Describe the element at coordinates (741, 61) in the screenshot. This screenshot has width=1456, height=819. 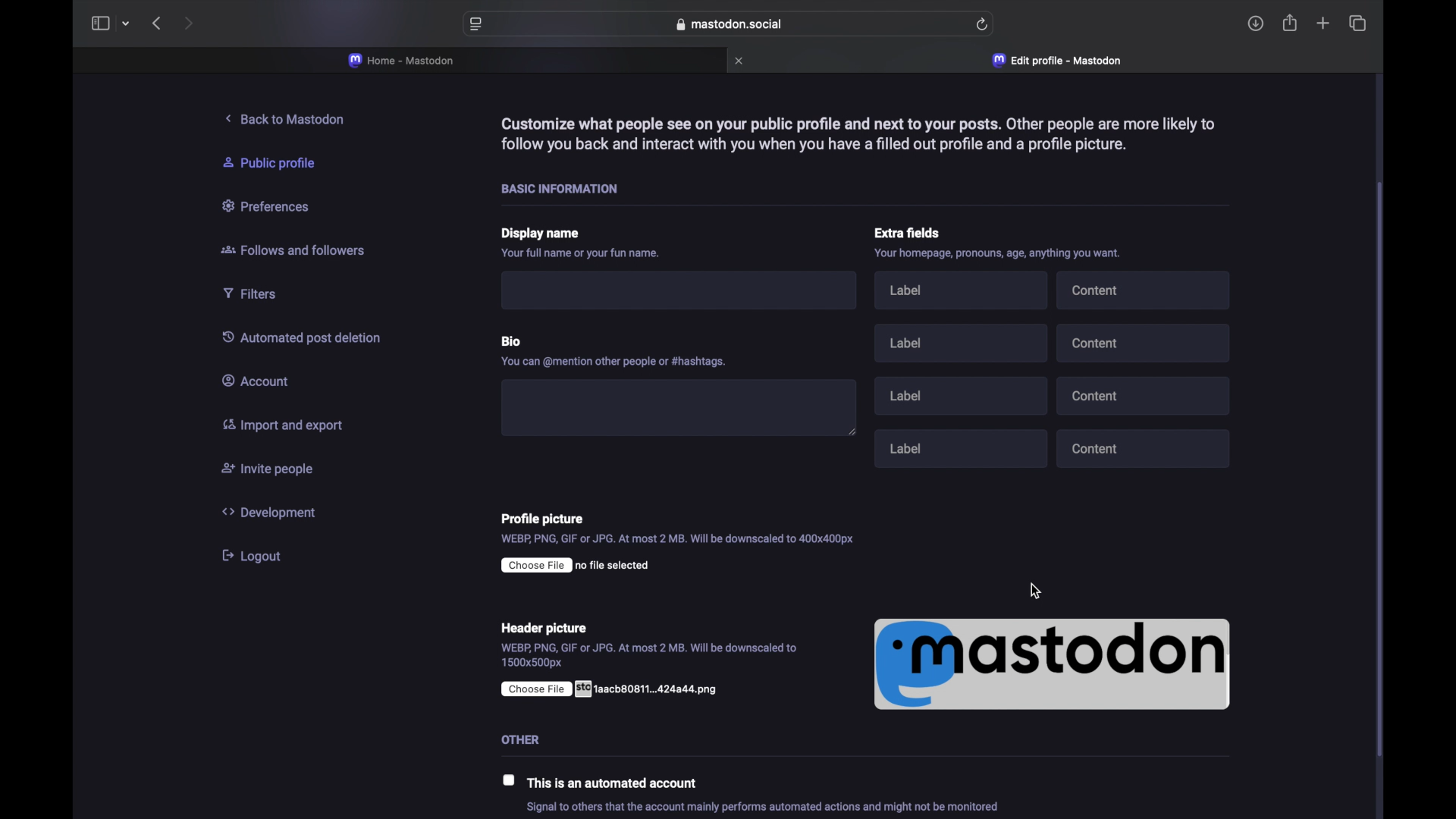
I see `close` at that location.